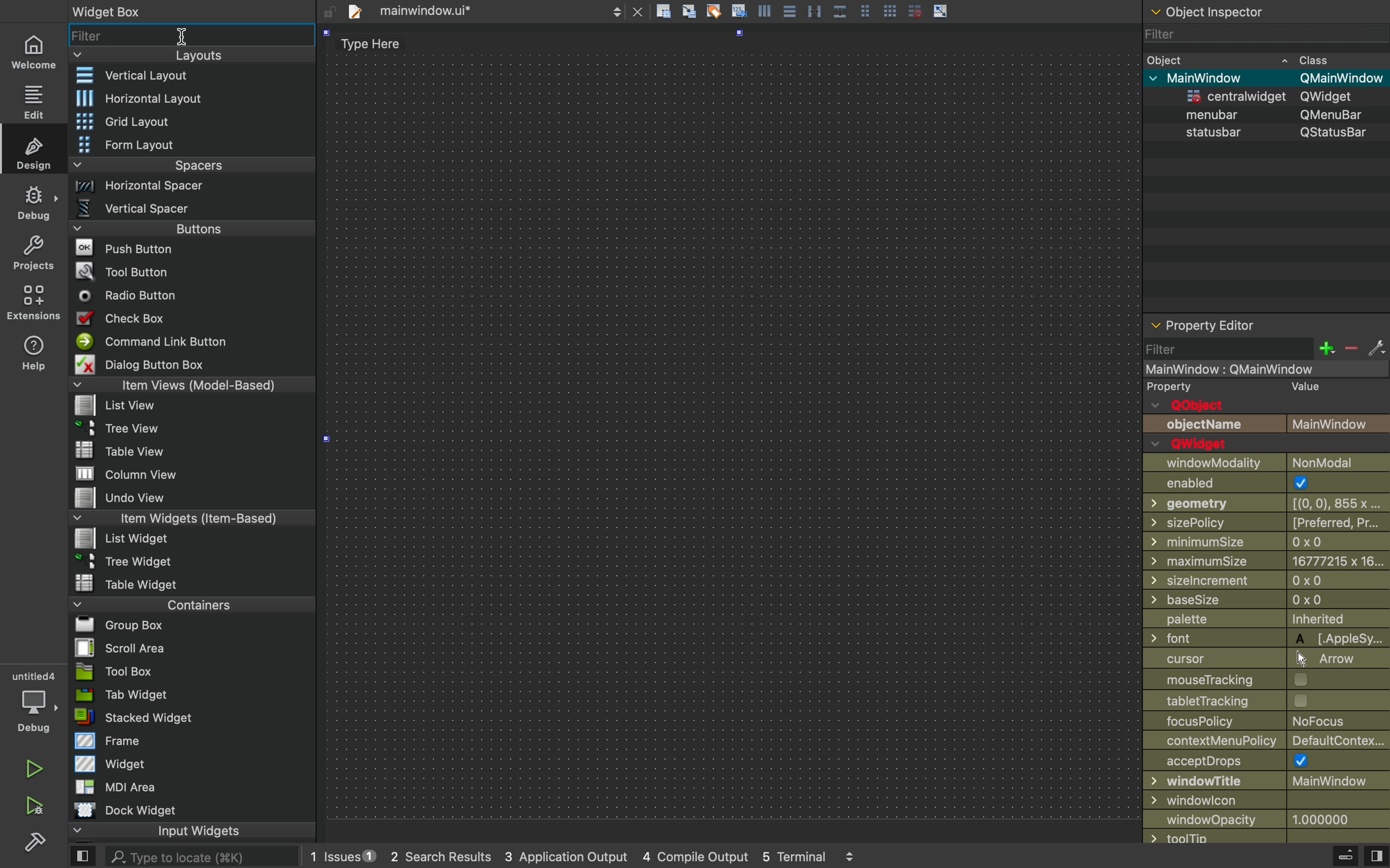 This screenshot has height=868, width=1390. Describe the element at coordinates (714, 11) in the screenshot. I see `clear` at that location.